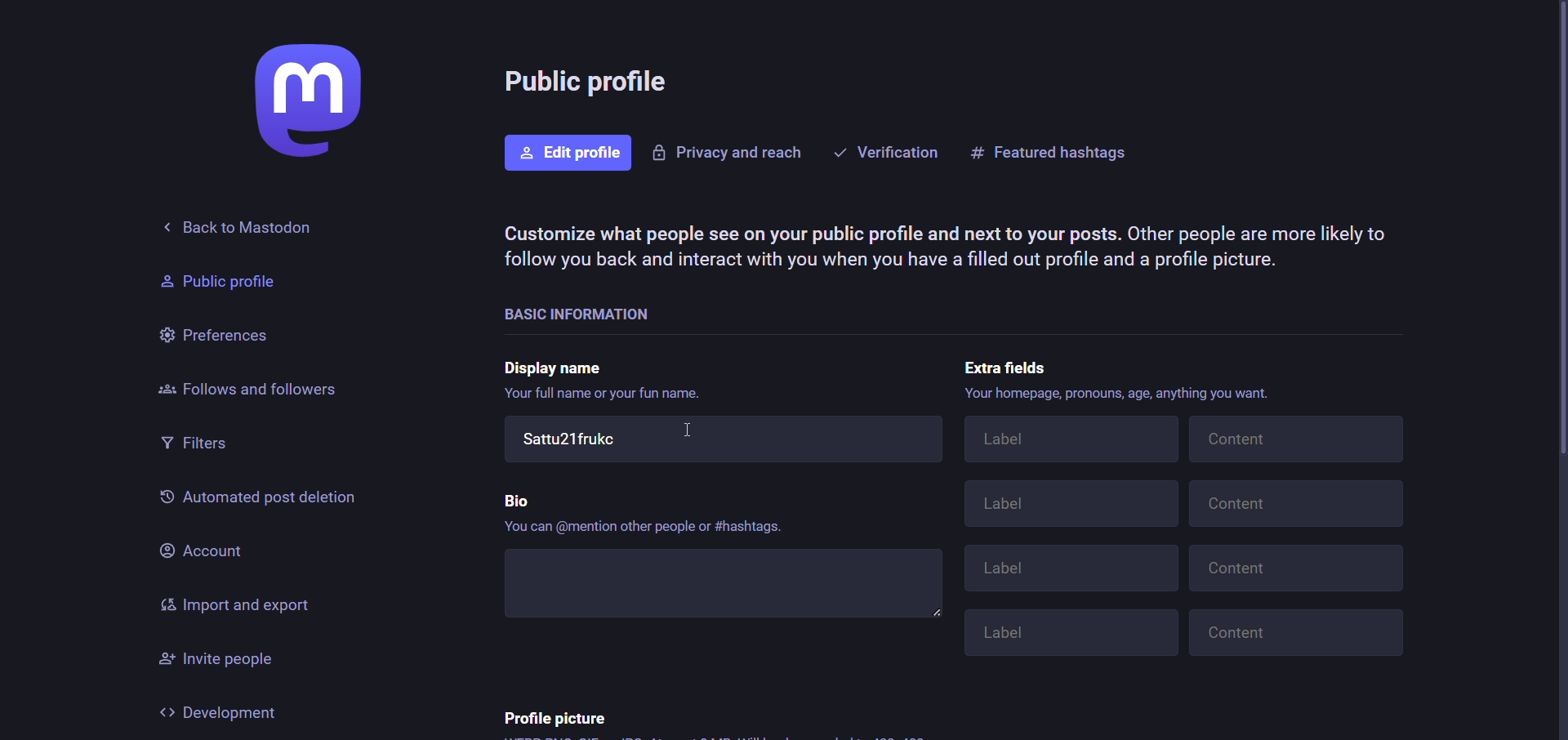 Image resolution: width=1568 pixels, height=740 pixels. Describe the element at coordinates (227, 660) in the screenshot. I see `invite people` at that location.